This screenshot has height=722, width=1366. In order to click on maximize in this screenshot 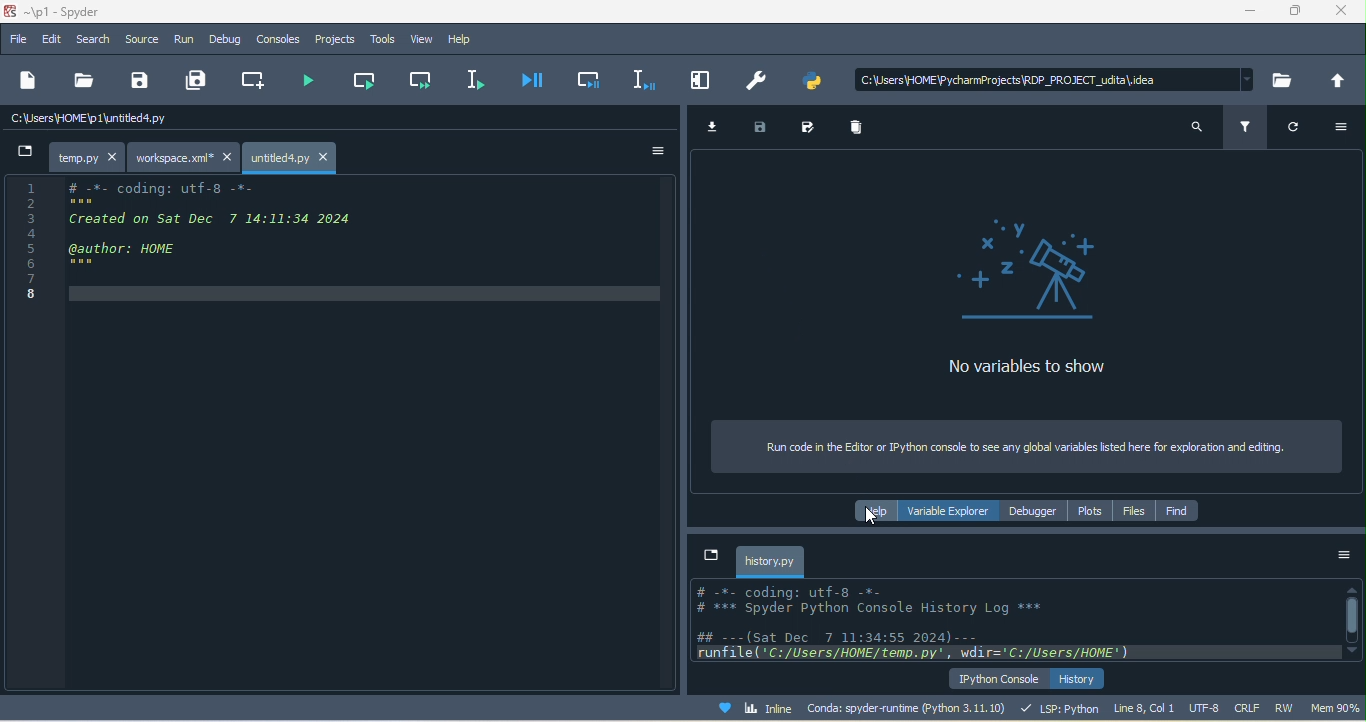, I will do `click(1299, 11)`.